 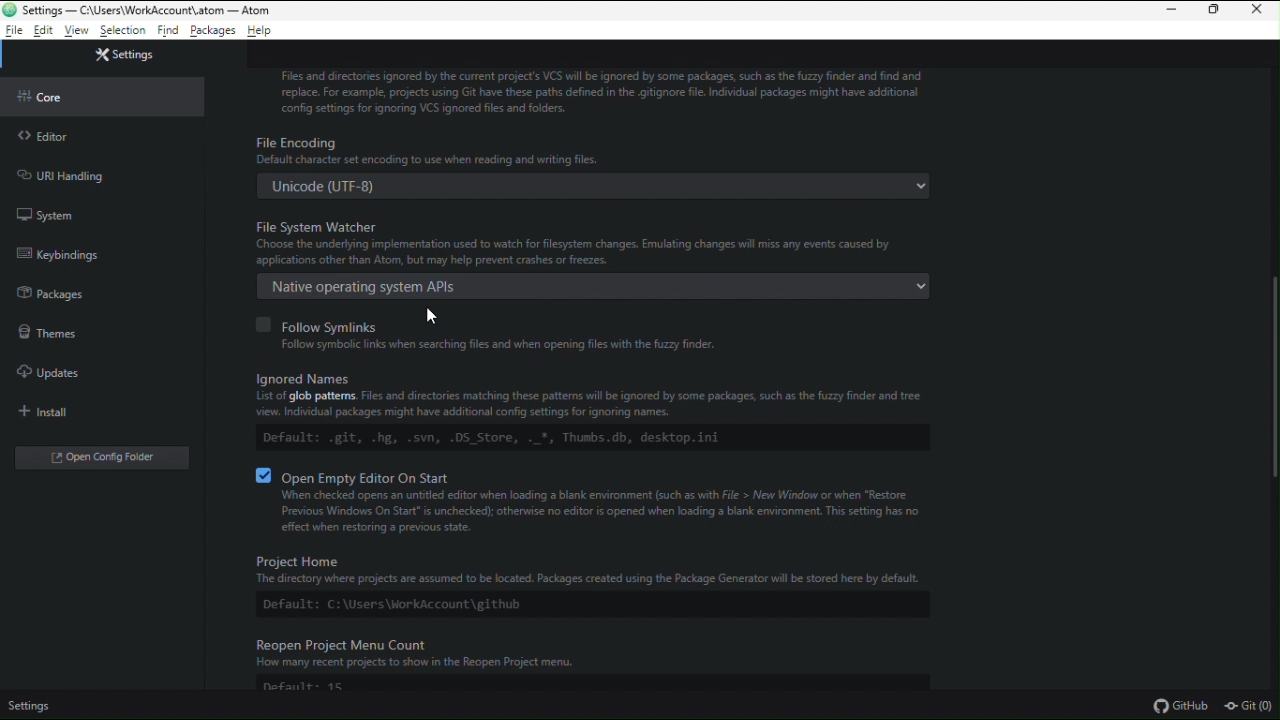 I want to click on git, so click(x=1250, y=707).